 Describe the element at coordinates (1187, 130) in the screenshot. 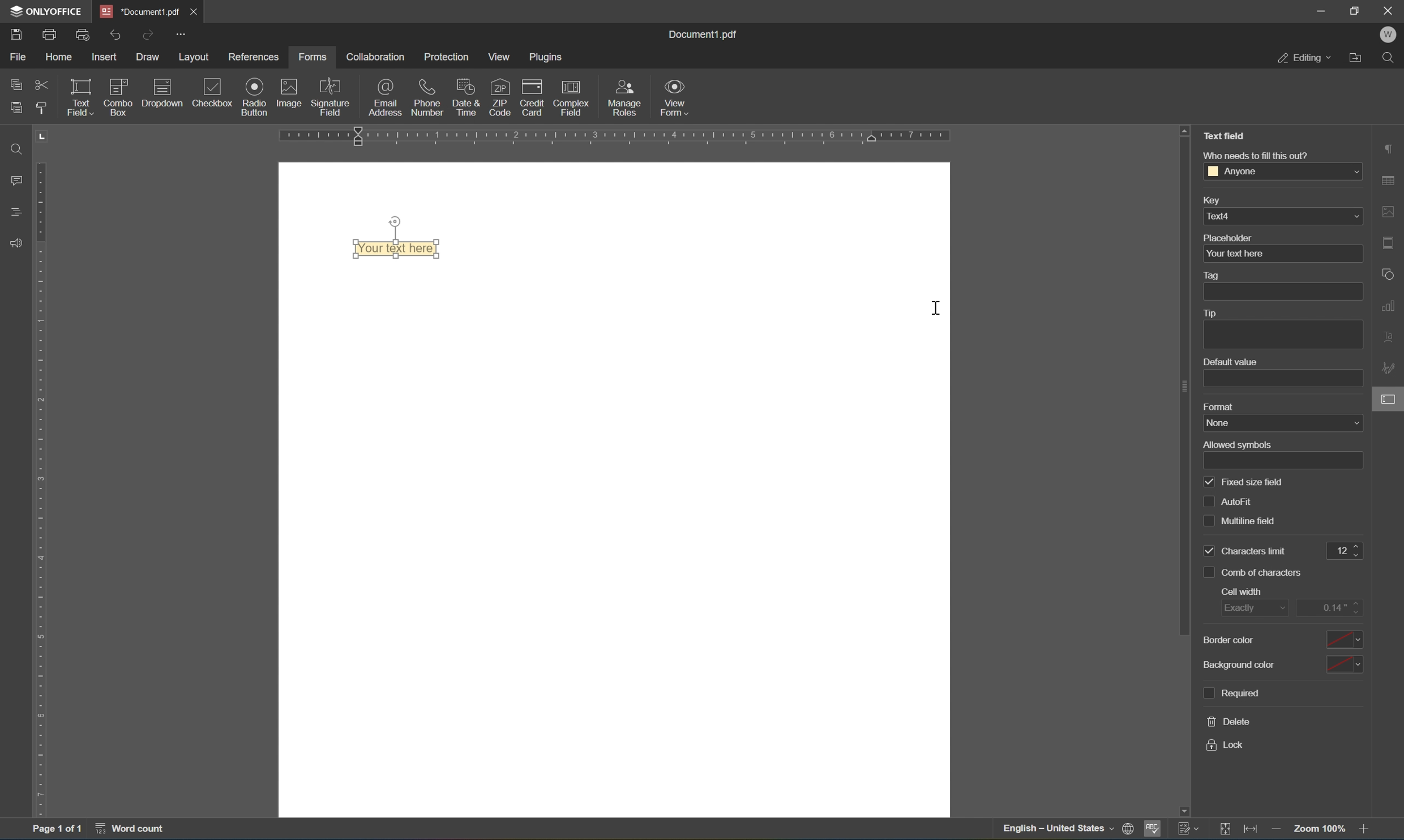

I see `scroll up` at that location.